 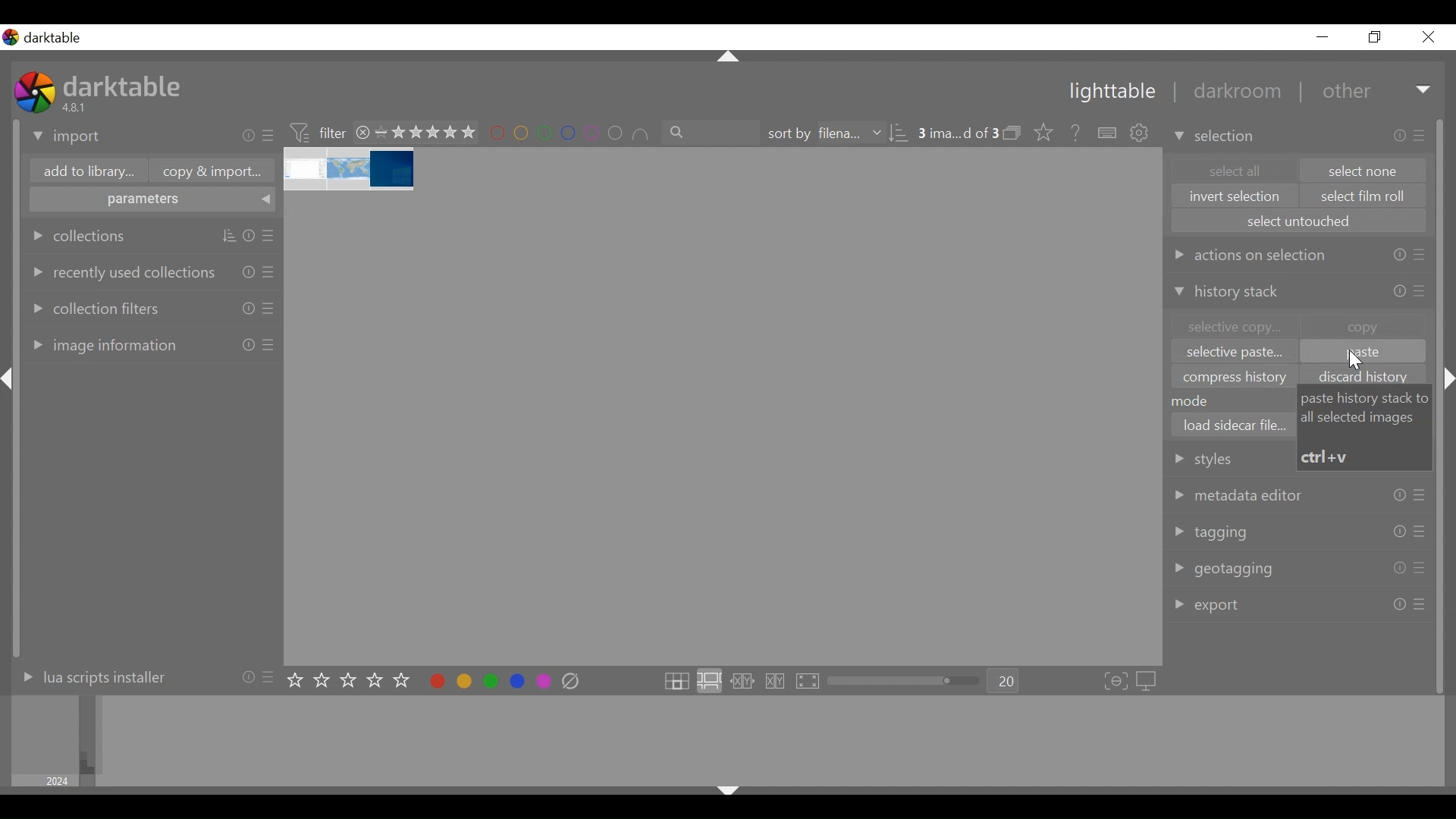 What do you see at coordinates (1399, 256) in the screenshot?
I see `info` at bounding box center [1399, 256].